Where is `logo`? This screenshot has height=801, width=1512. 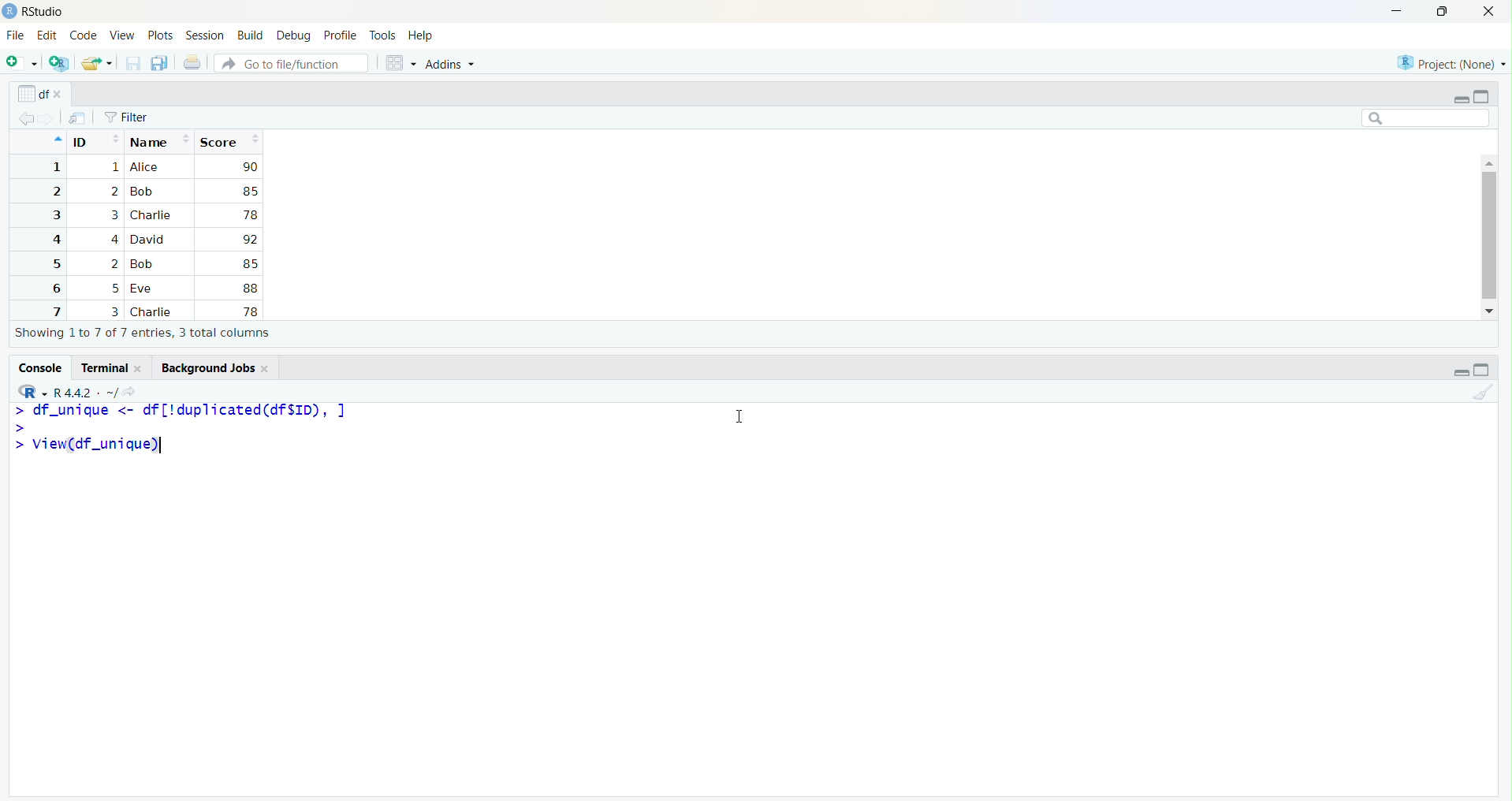 logo is located at coordinates (9, 12).